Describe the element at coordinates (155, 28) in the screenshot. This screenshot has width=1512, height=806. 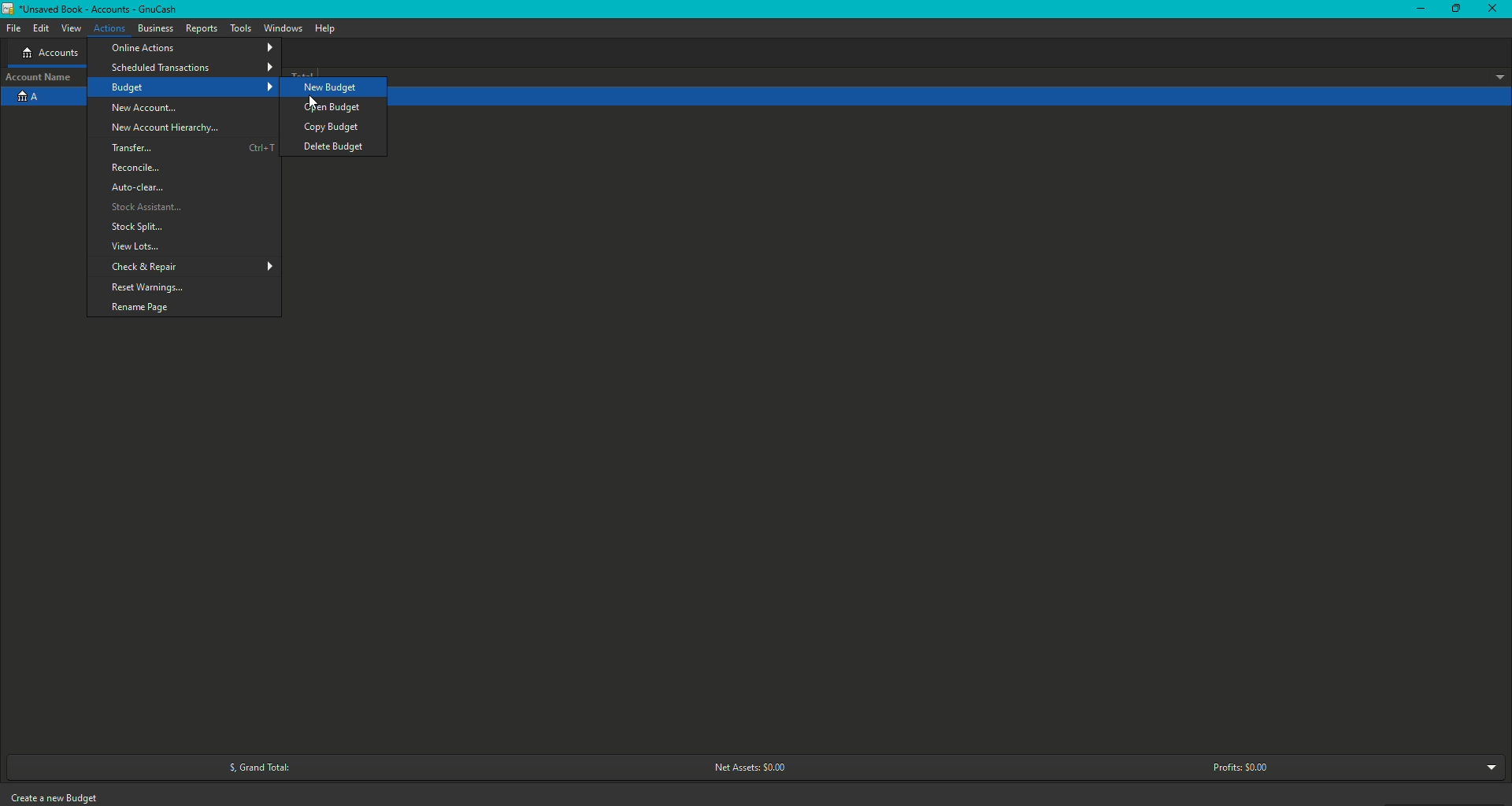
I see `Business` at that location.